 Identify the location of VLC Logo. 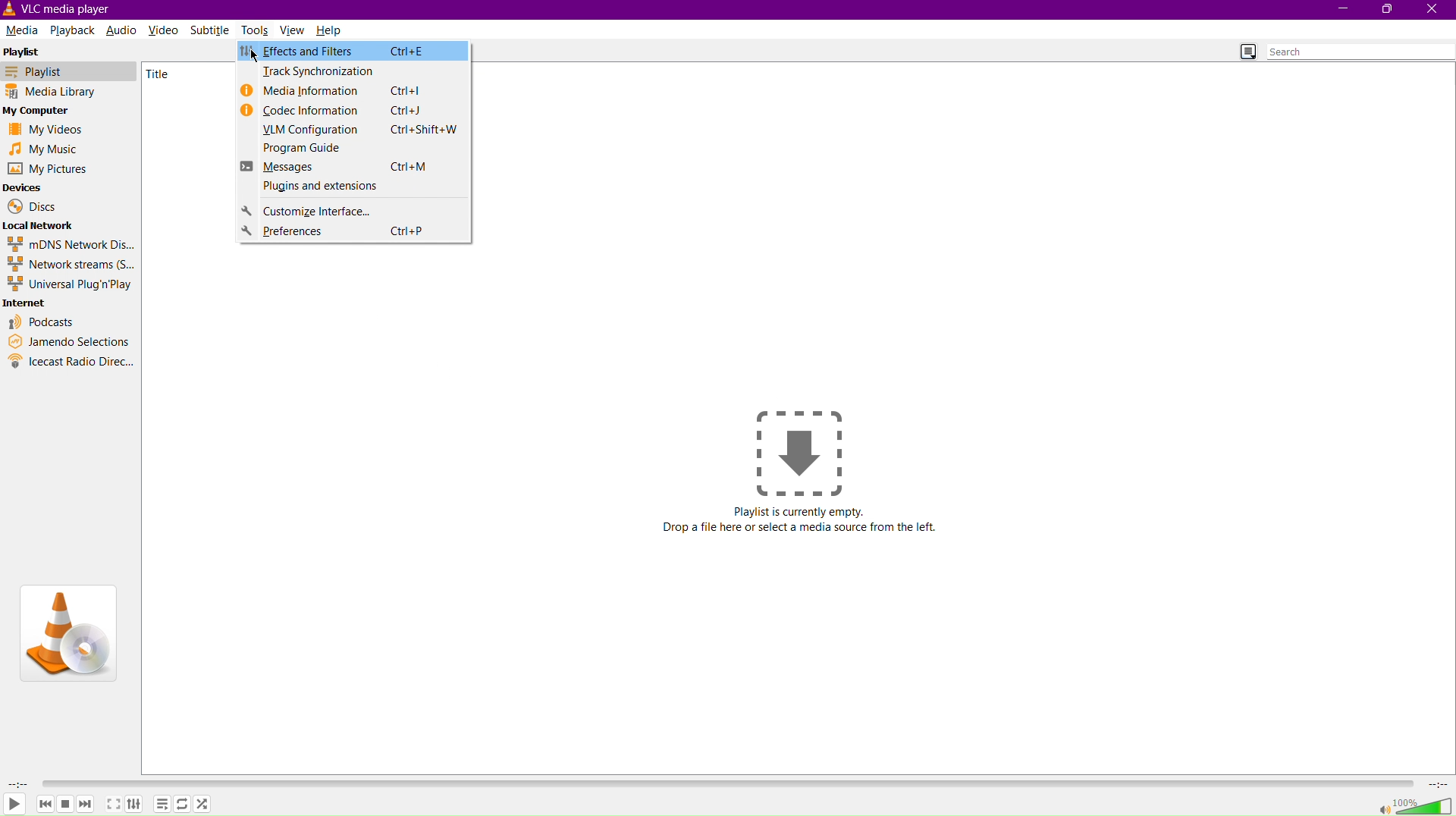
(71, 626).